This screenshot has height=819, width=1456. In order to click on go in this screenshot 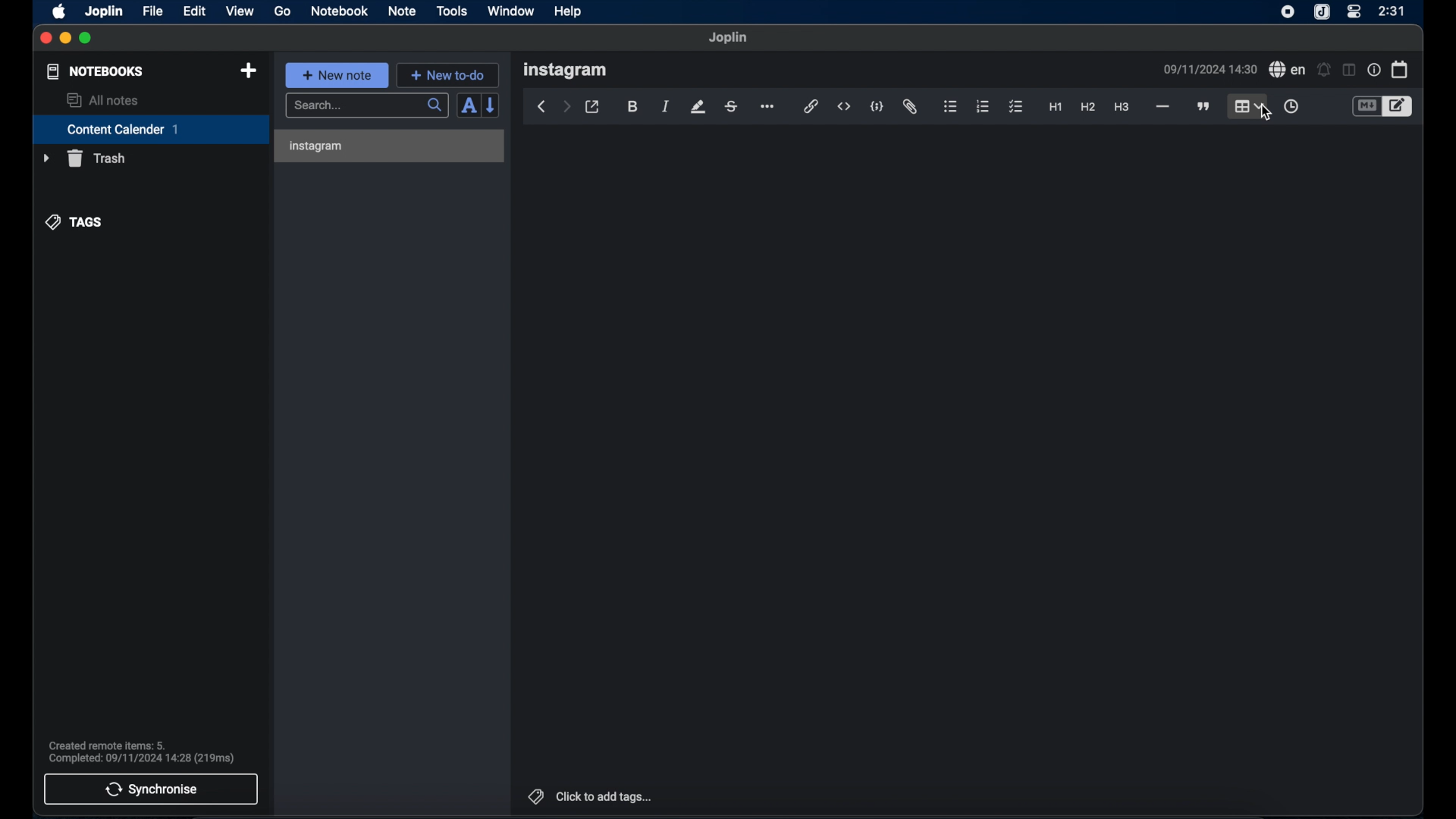, I will do `click(284, 11)`.